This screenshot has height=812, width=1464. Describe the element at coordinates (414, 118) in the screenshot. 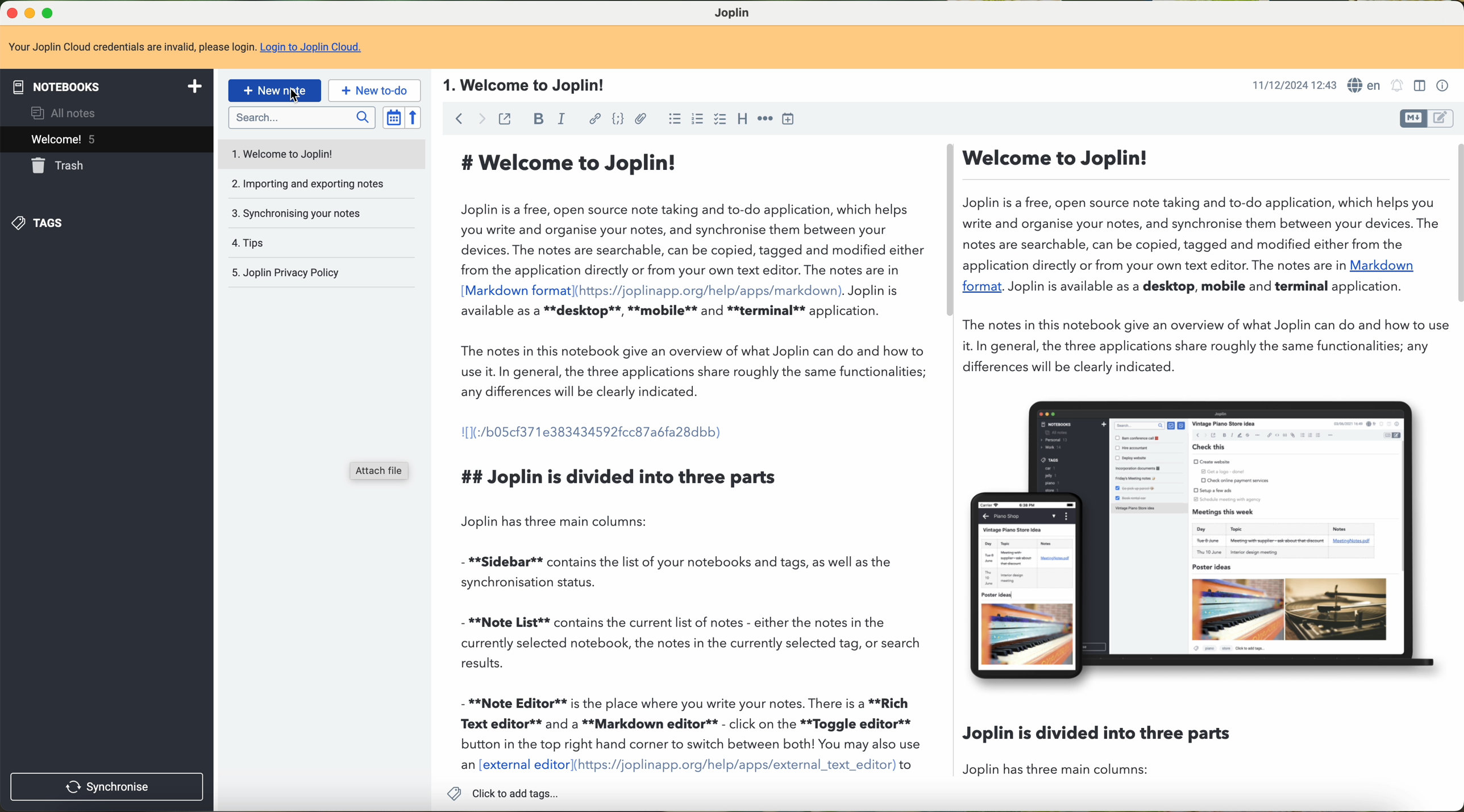

I see `reverse sort order` at that location.